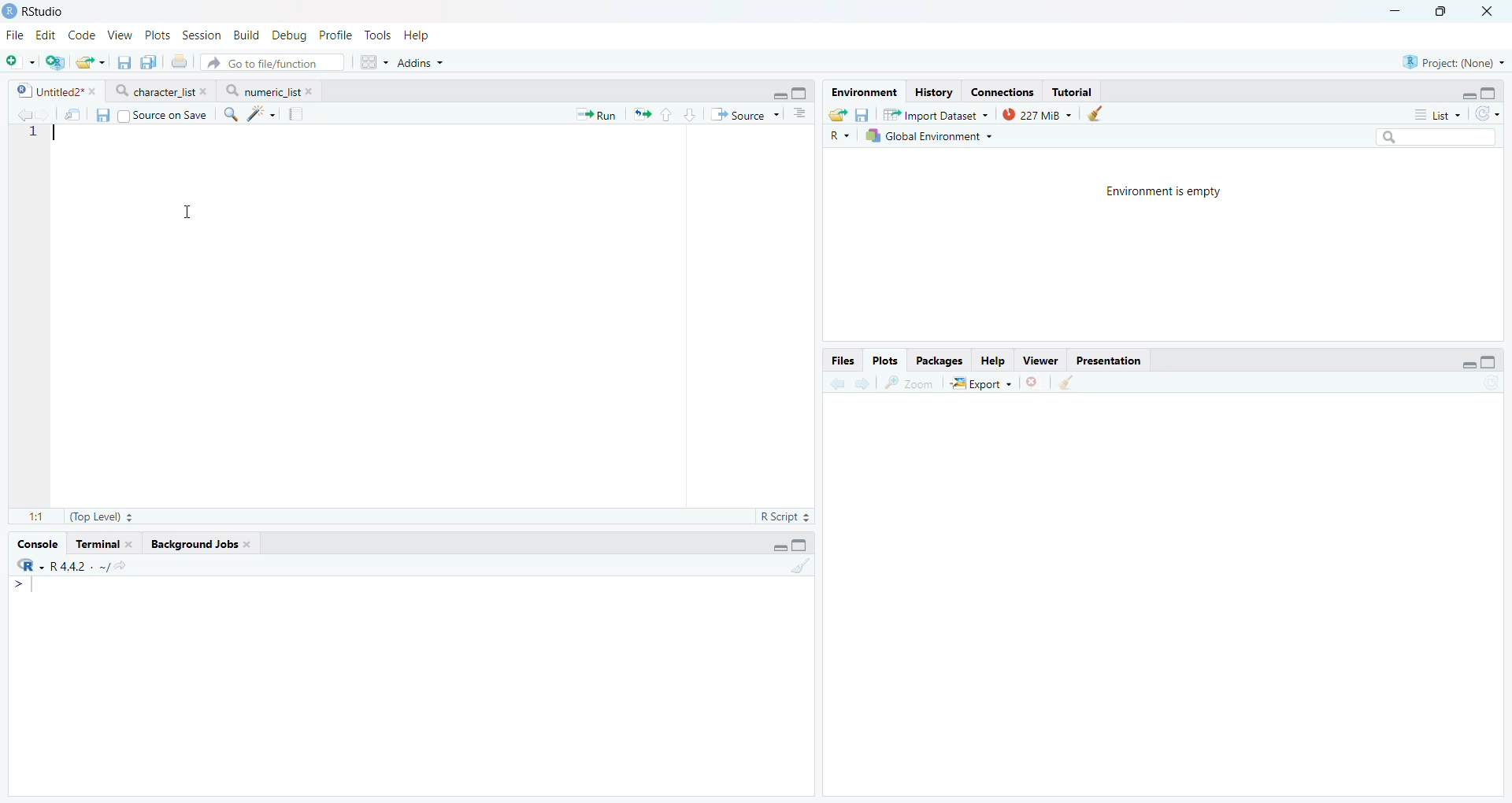  What do you see at coordinates (335, 35) in the screenshot?
I see `Profile` at bounding box center [335, 35].